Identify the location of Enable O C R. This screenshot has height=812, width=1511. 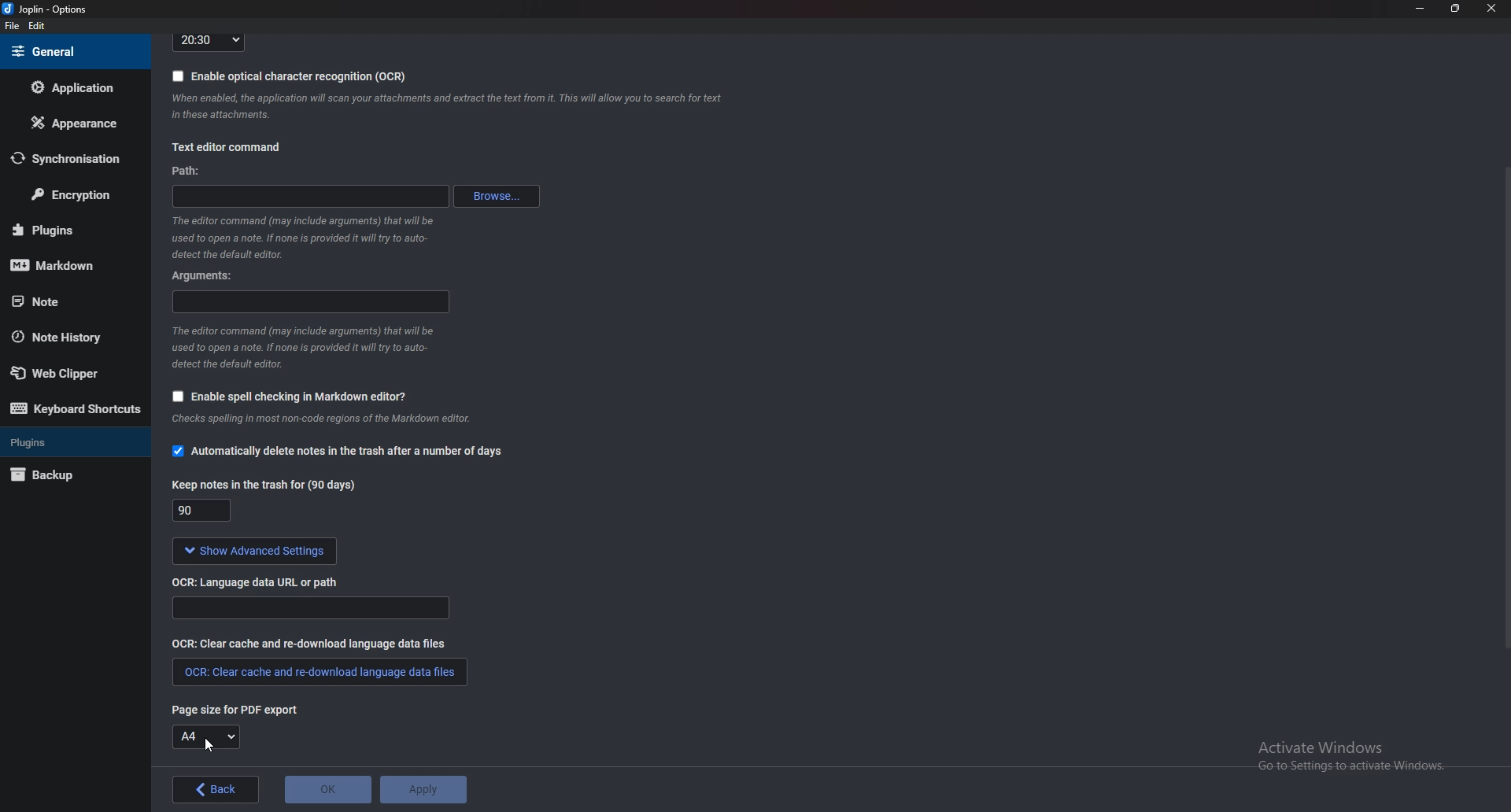
(290, 76).